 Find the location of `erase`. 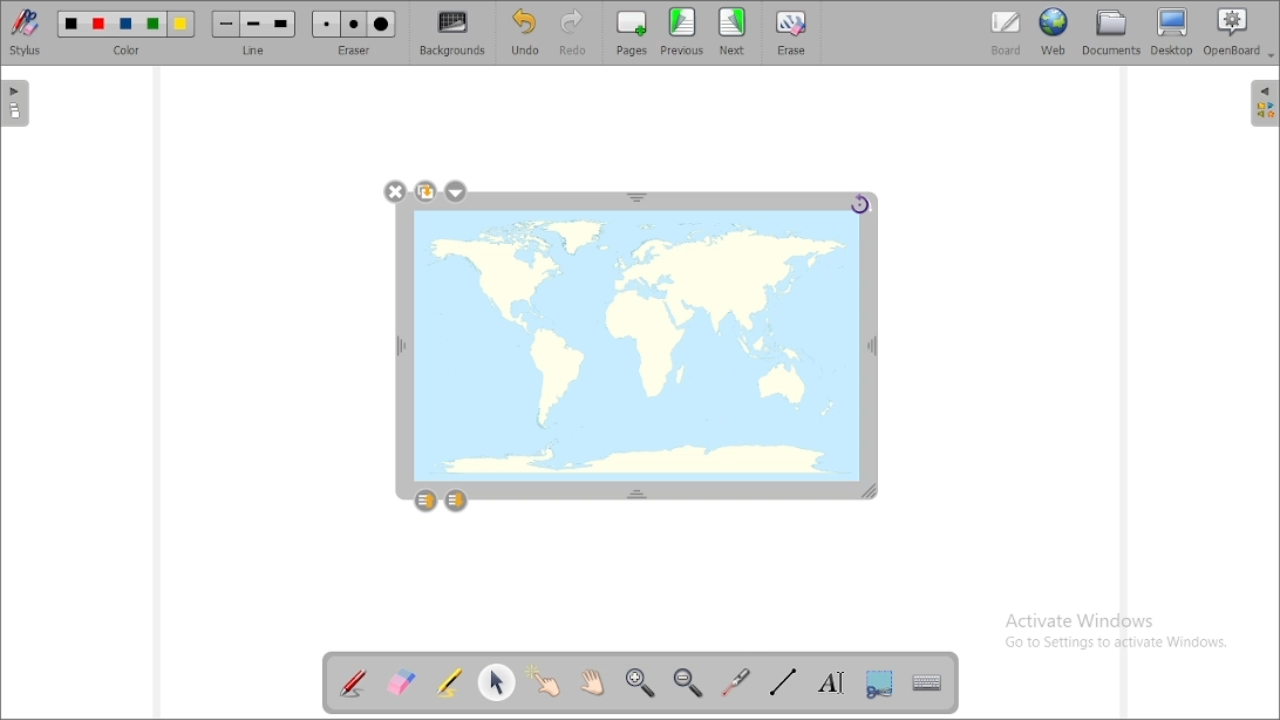

erase is located at coordinates (794, 32).